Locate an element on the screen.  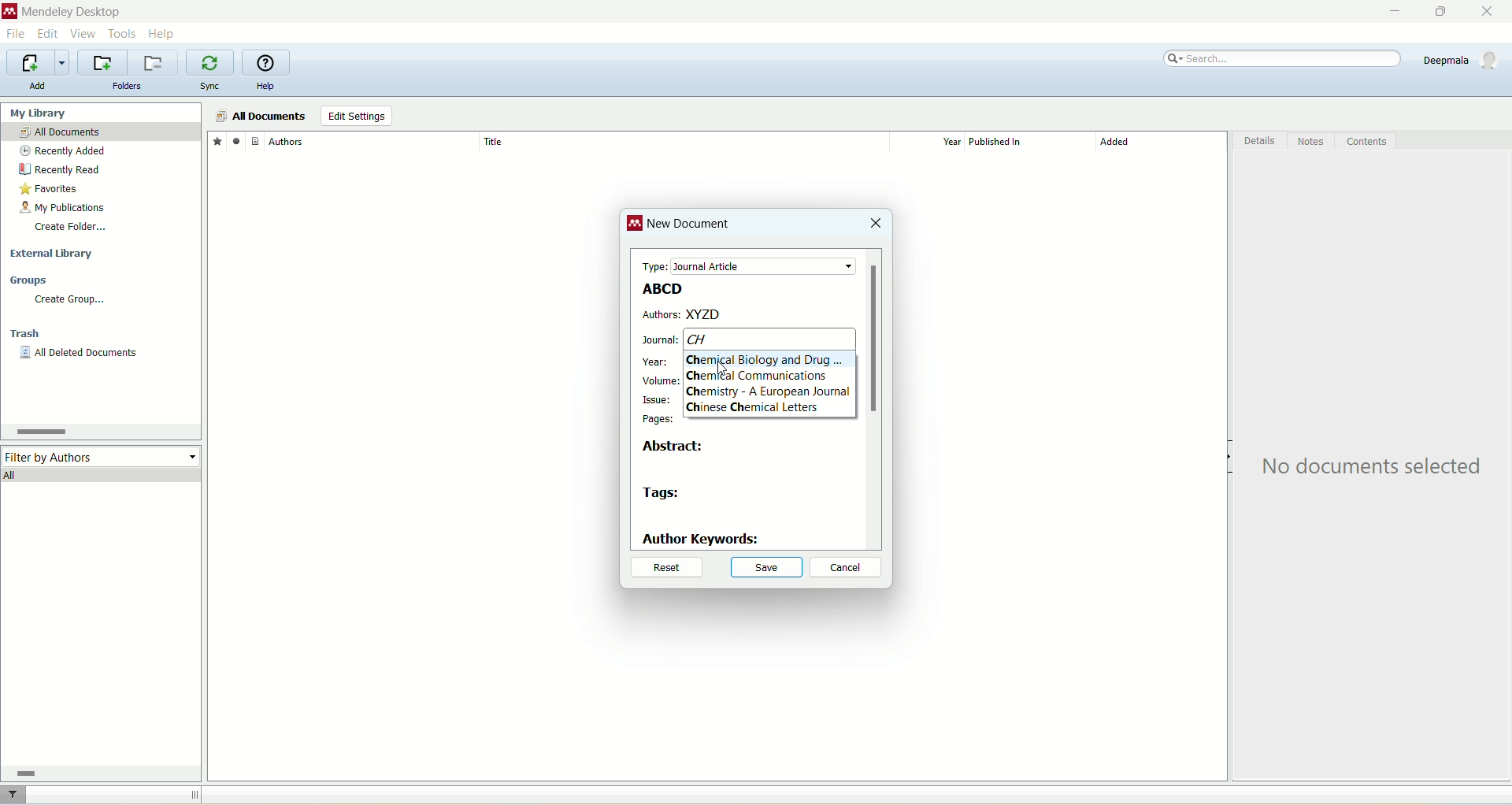
search is located at coordinates (1284, 59).